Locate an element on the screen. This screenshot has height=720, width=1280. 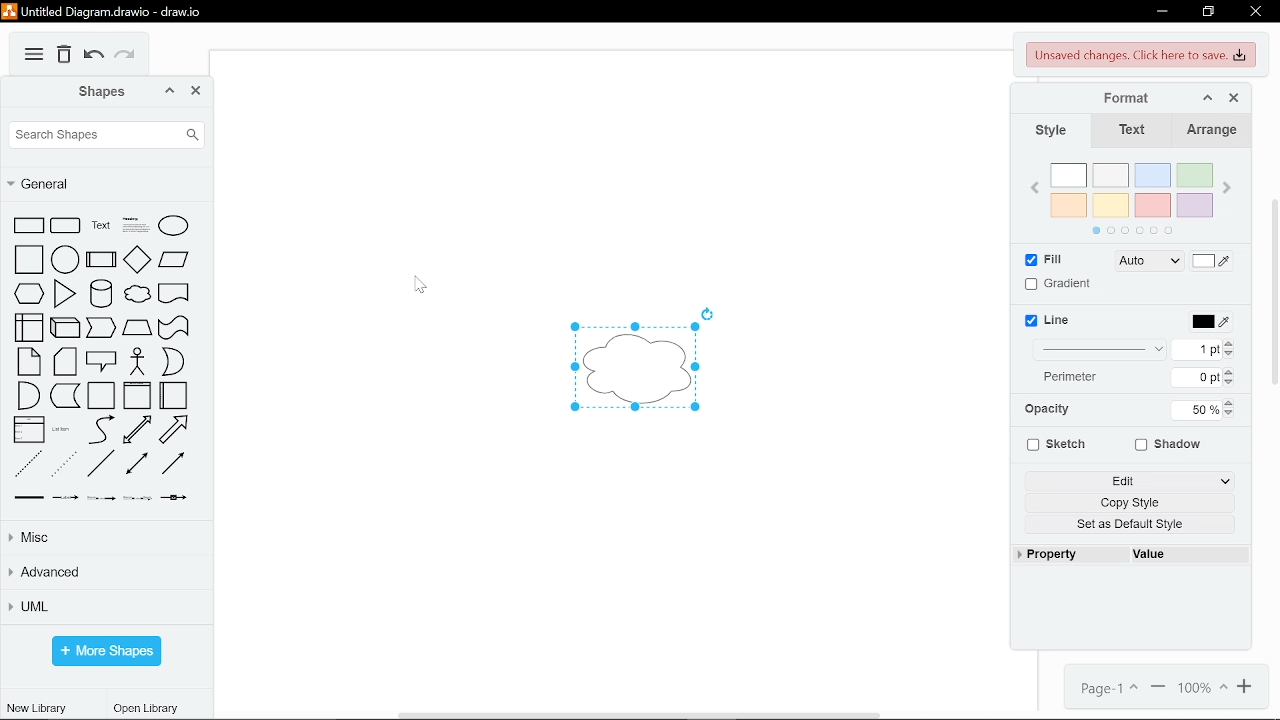
Untitled Diagram.drawio - draw.io is located at coordinates (112, 12).